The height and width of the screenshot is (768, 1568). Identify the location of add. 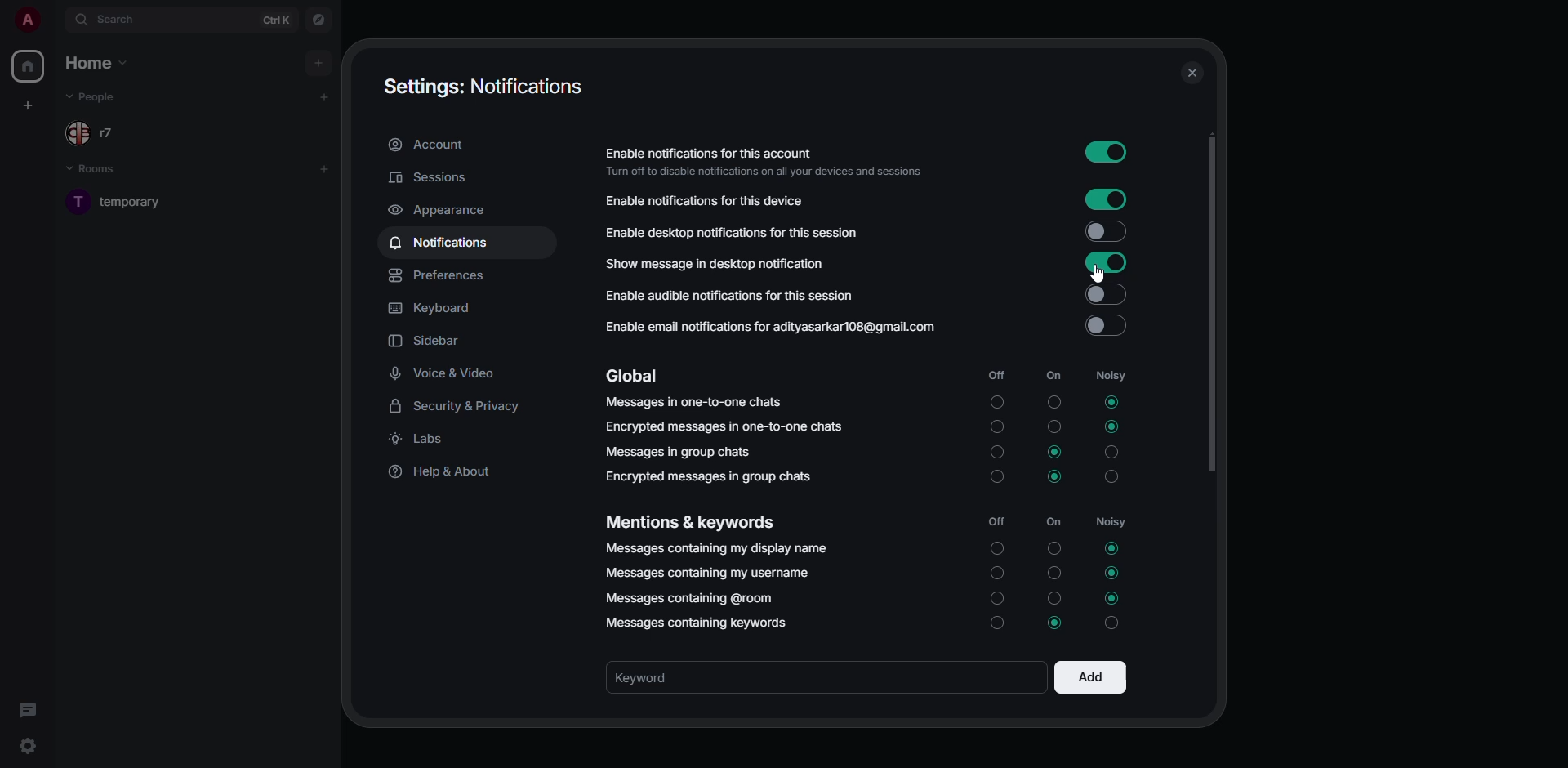
(325, 167).